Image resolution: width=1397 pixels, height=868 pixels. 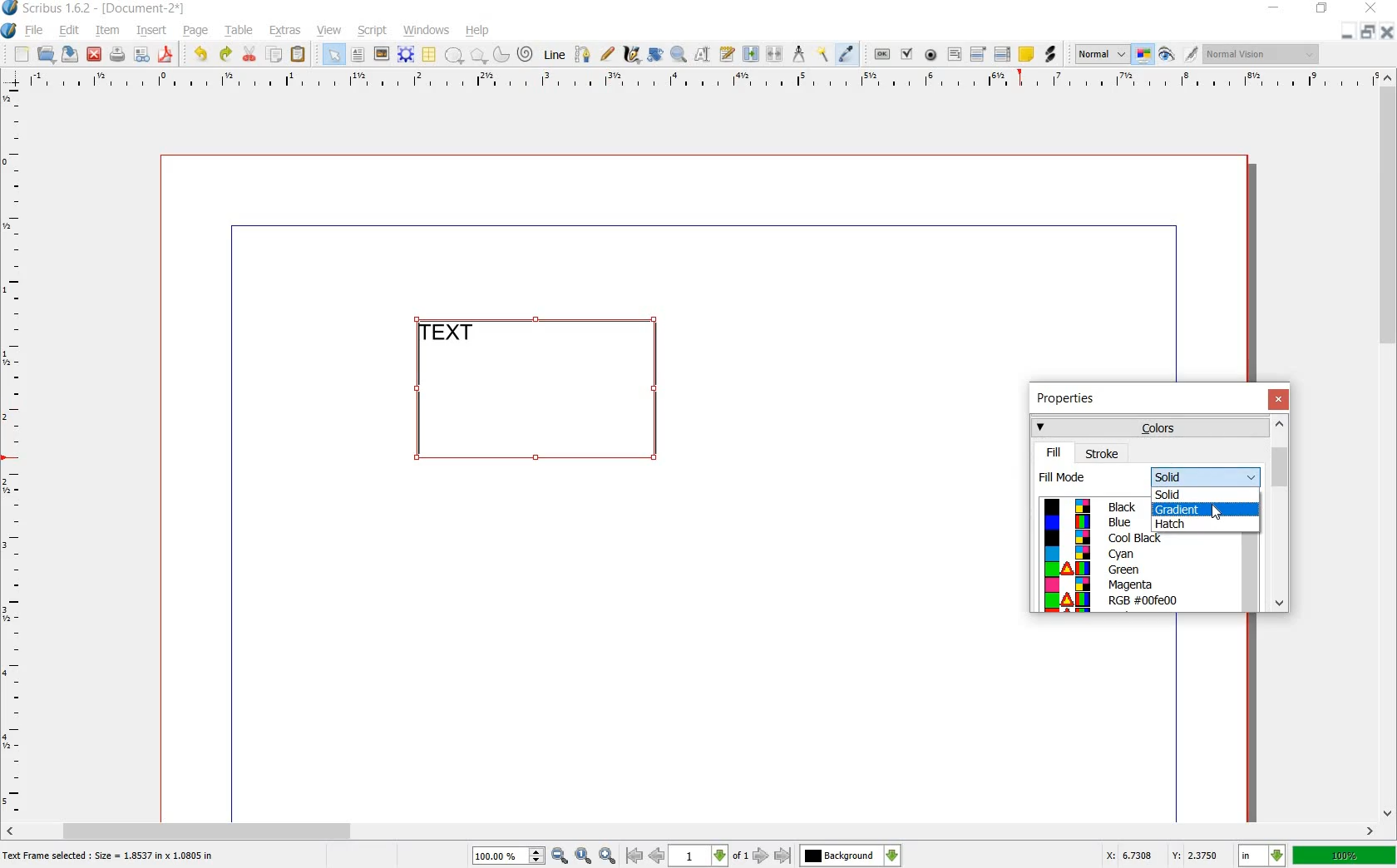 What do you see at coordinates (165, 55) in the screenshot?
I see `save as pdf` at bounding box center [165, 55].